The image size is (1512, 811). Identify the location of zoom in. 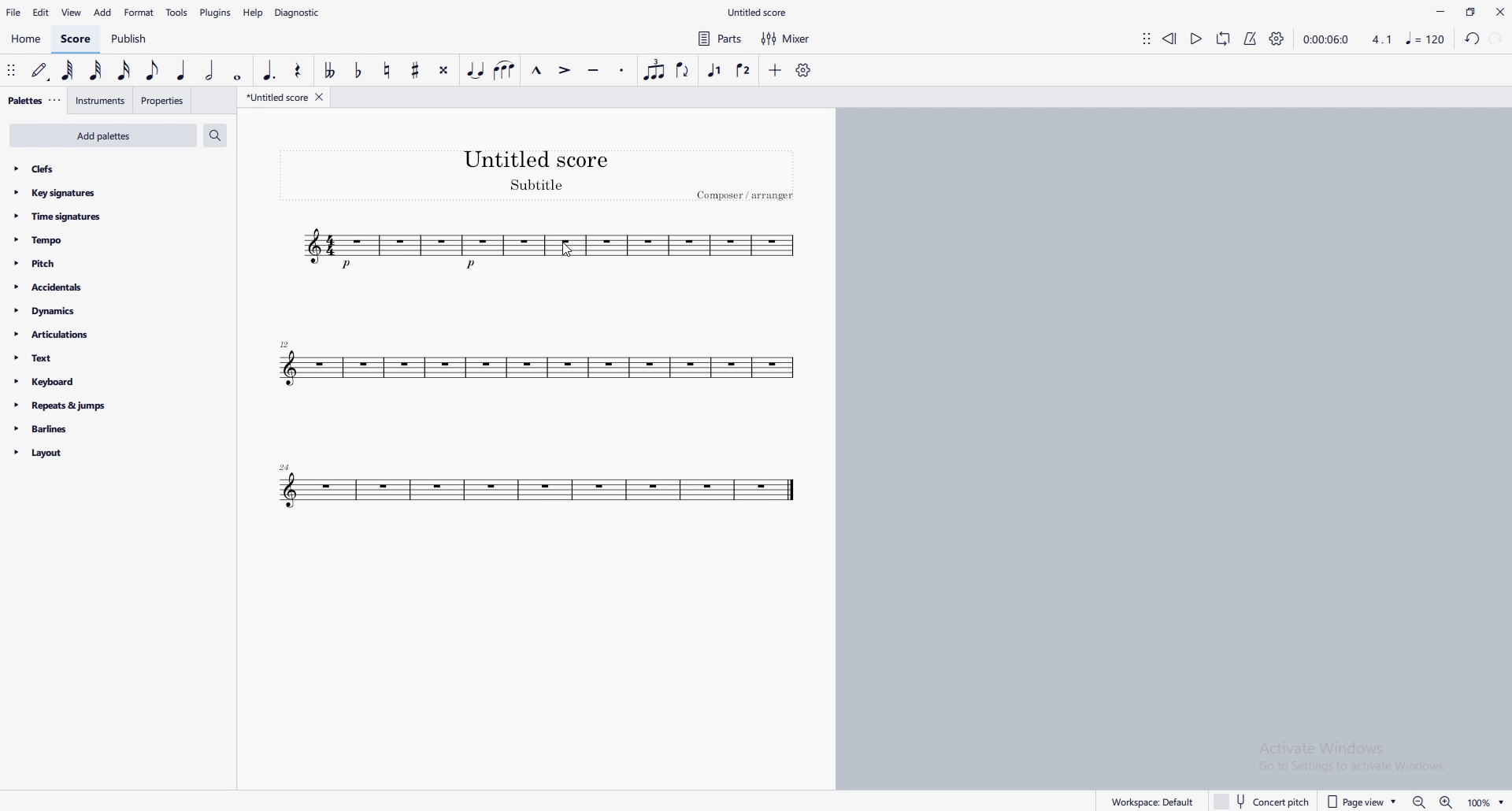
(1447, 802).